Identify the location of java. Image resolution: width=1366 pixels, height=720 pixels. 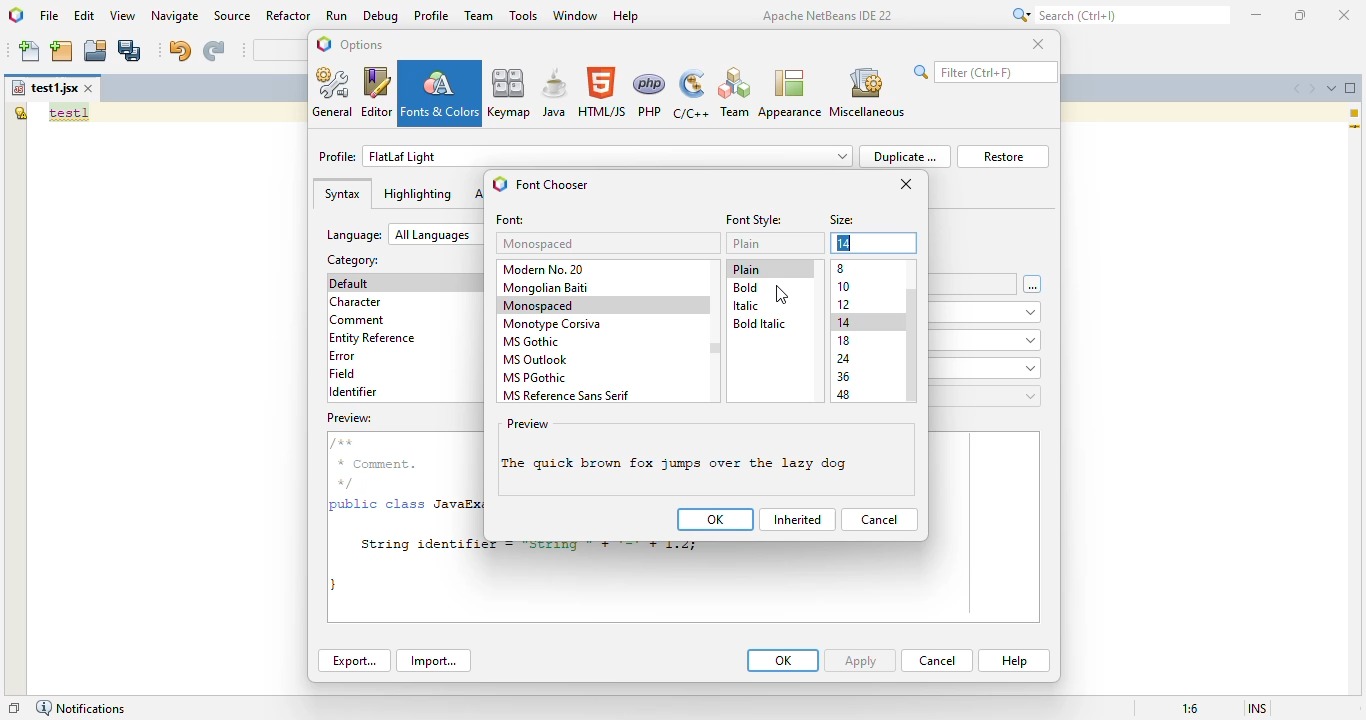
(554, 93).